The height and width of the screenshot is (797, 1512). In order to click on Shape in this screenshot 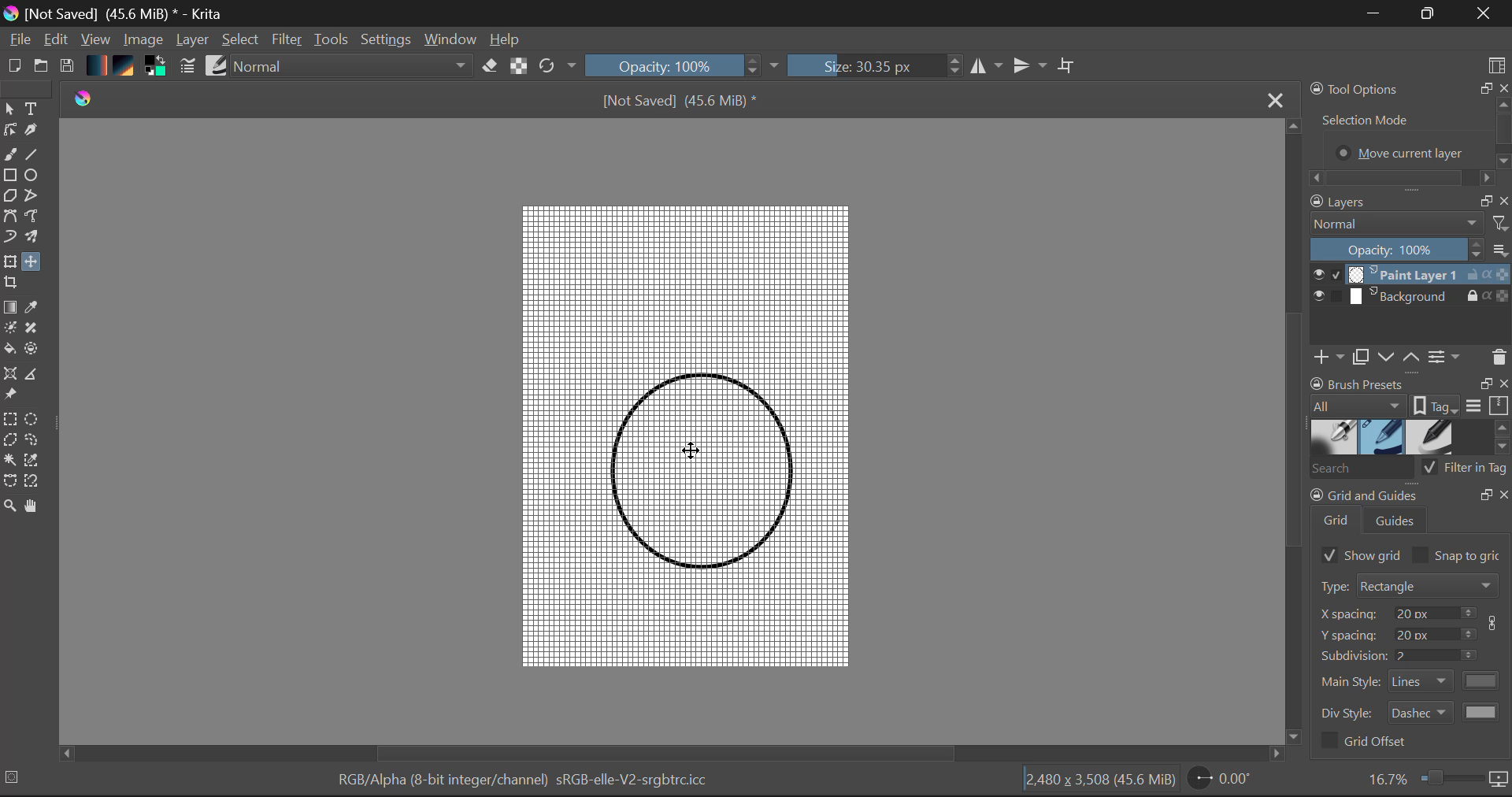, I will do `click(703, 469)`.